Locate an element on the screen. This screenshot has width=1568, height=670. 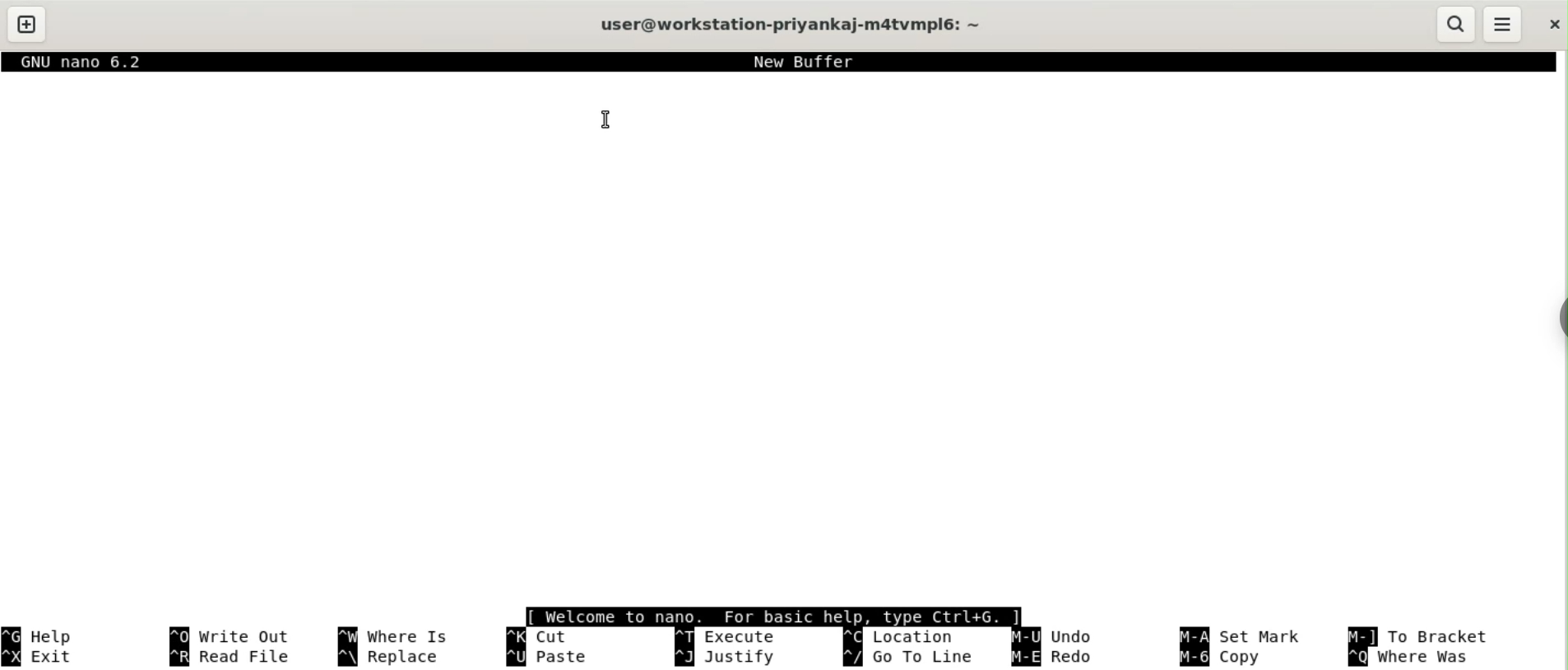
GNU nano 6.2 is located at coordinates (87, 63).